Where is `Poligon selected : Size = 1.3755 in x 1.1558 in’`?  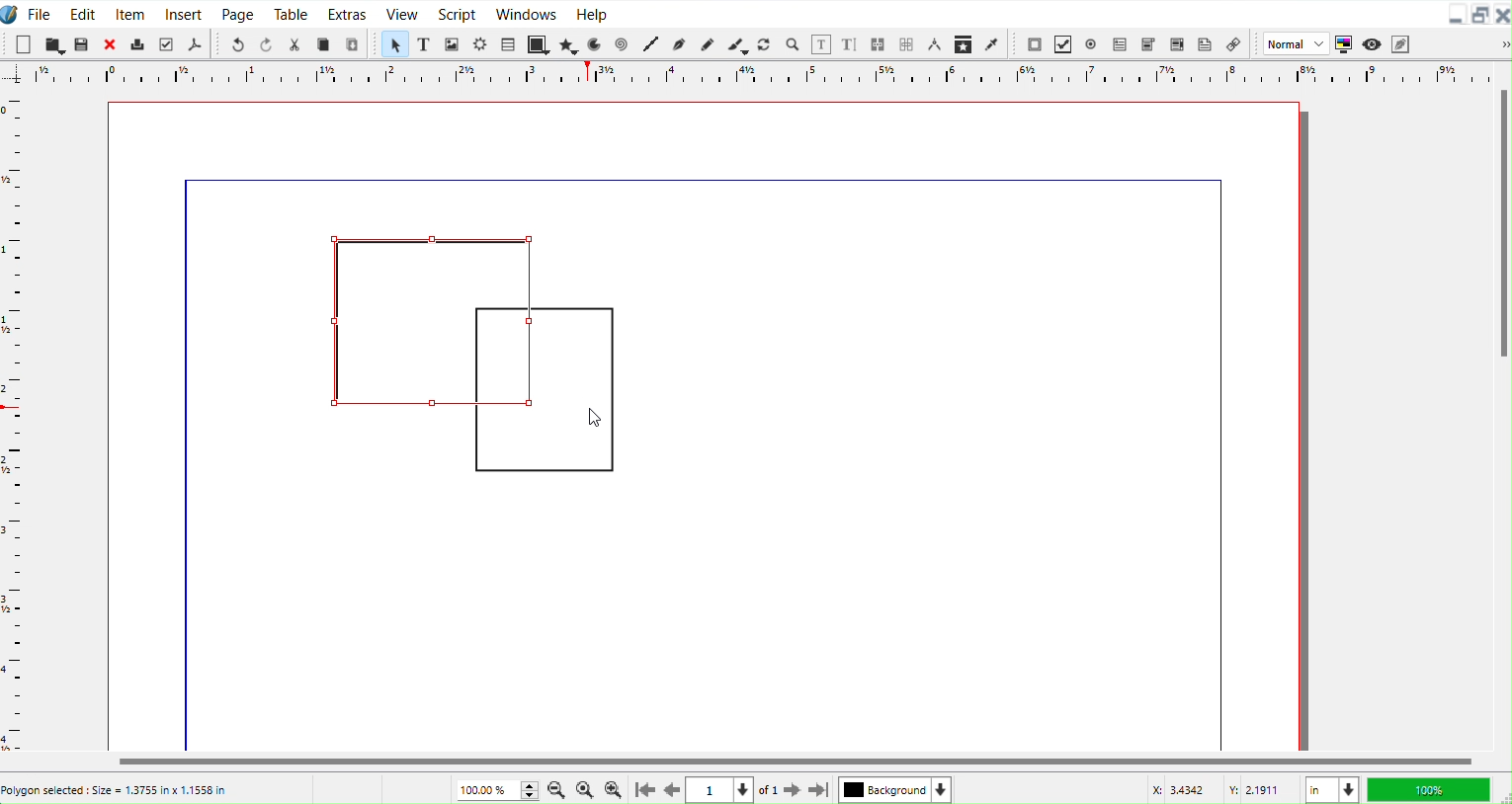
Poligon selected : Size = 1.3755 in x 1.1558 in’ is located at coordinates (117, 787).